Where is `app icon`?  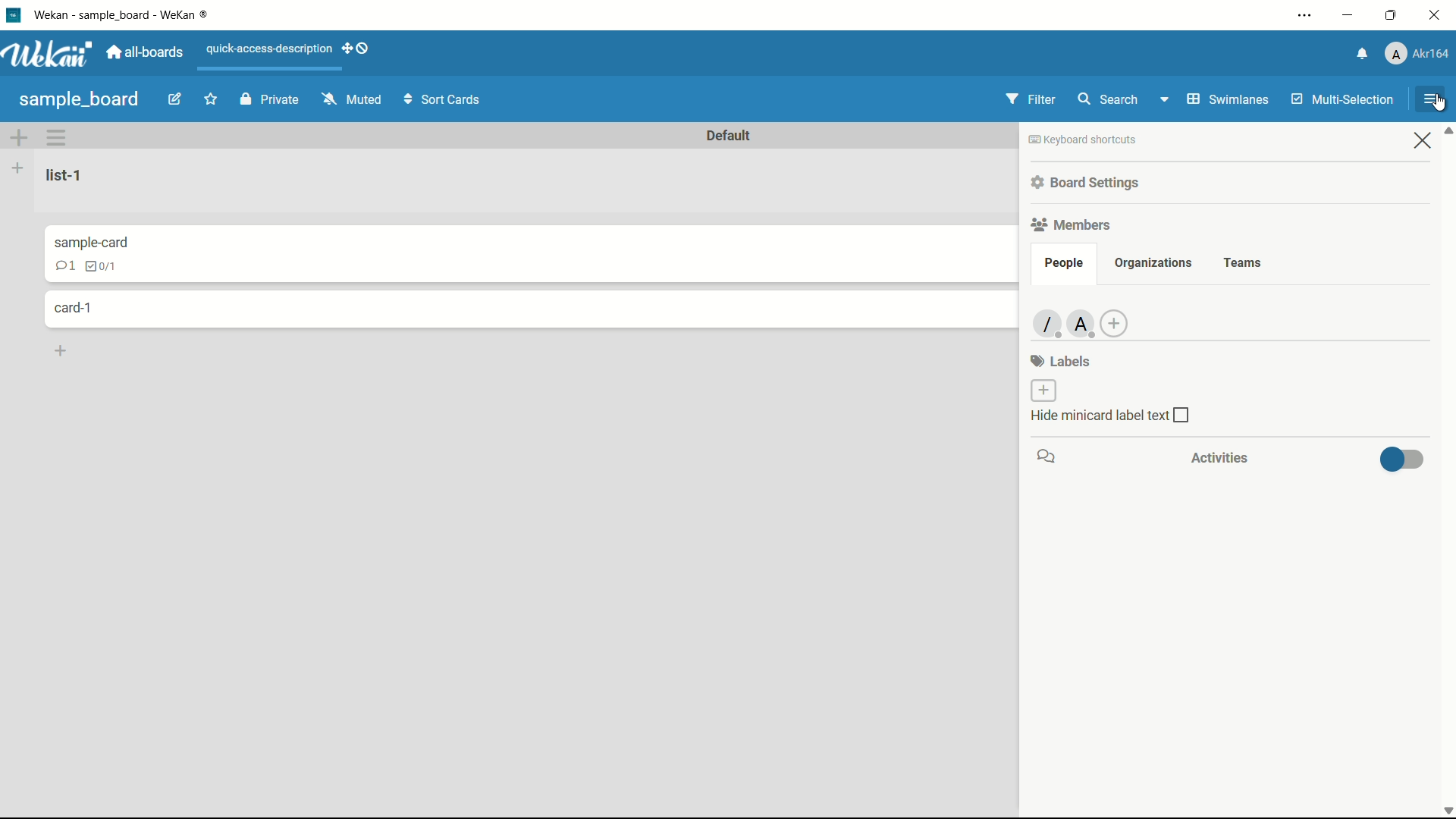 app icon is located at coordinates (14, 15).